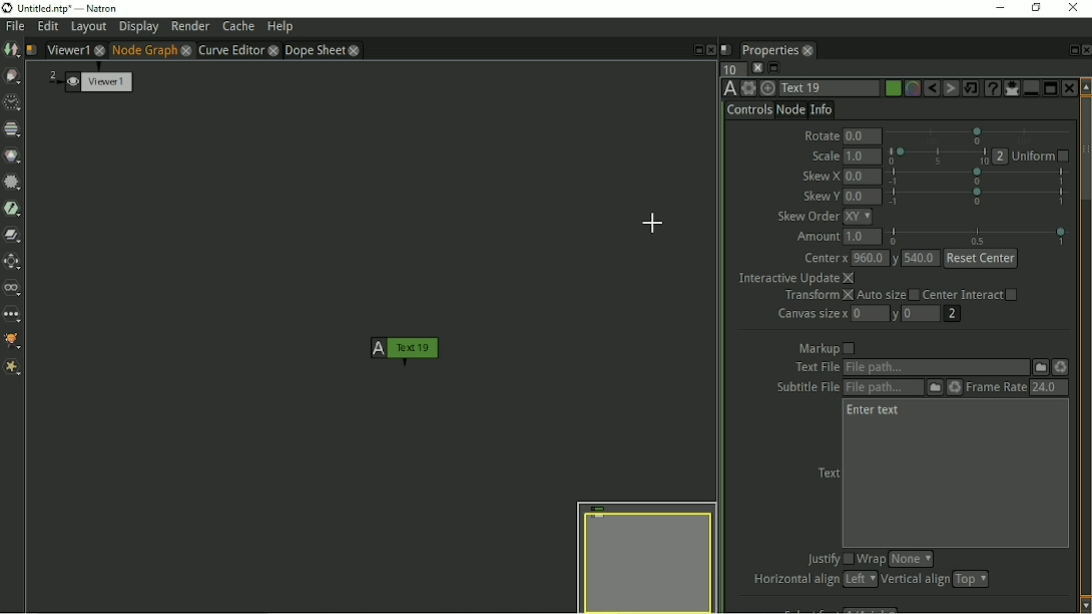  Describe the element at coordinates (756, 68) in the screenshot. I see `Clear all panels` at that location.